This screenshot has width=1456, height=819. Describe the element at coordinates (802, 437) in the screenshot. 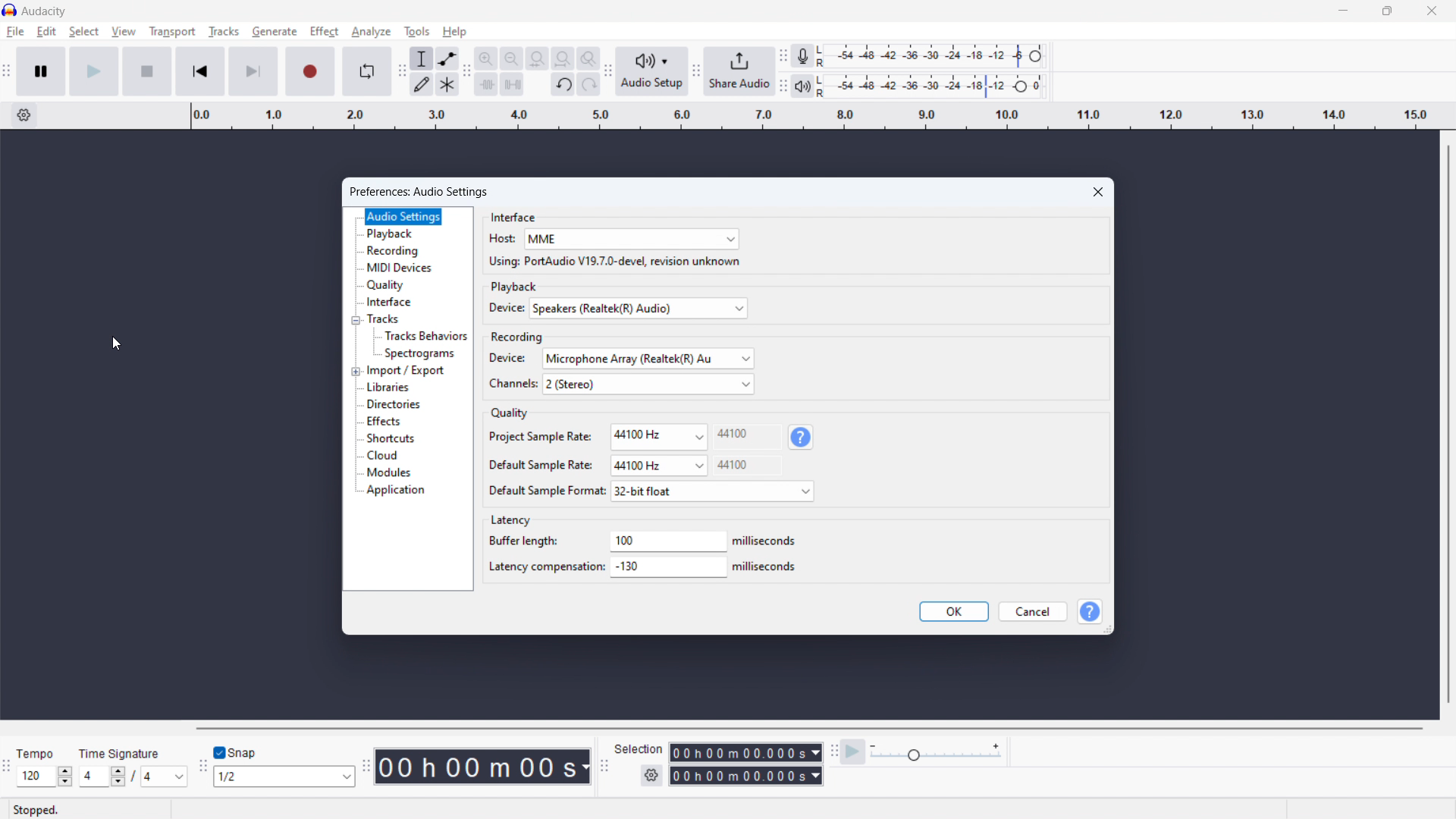

I see `help` at that location.